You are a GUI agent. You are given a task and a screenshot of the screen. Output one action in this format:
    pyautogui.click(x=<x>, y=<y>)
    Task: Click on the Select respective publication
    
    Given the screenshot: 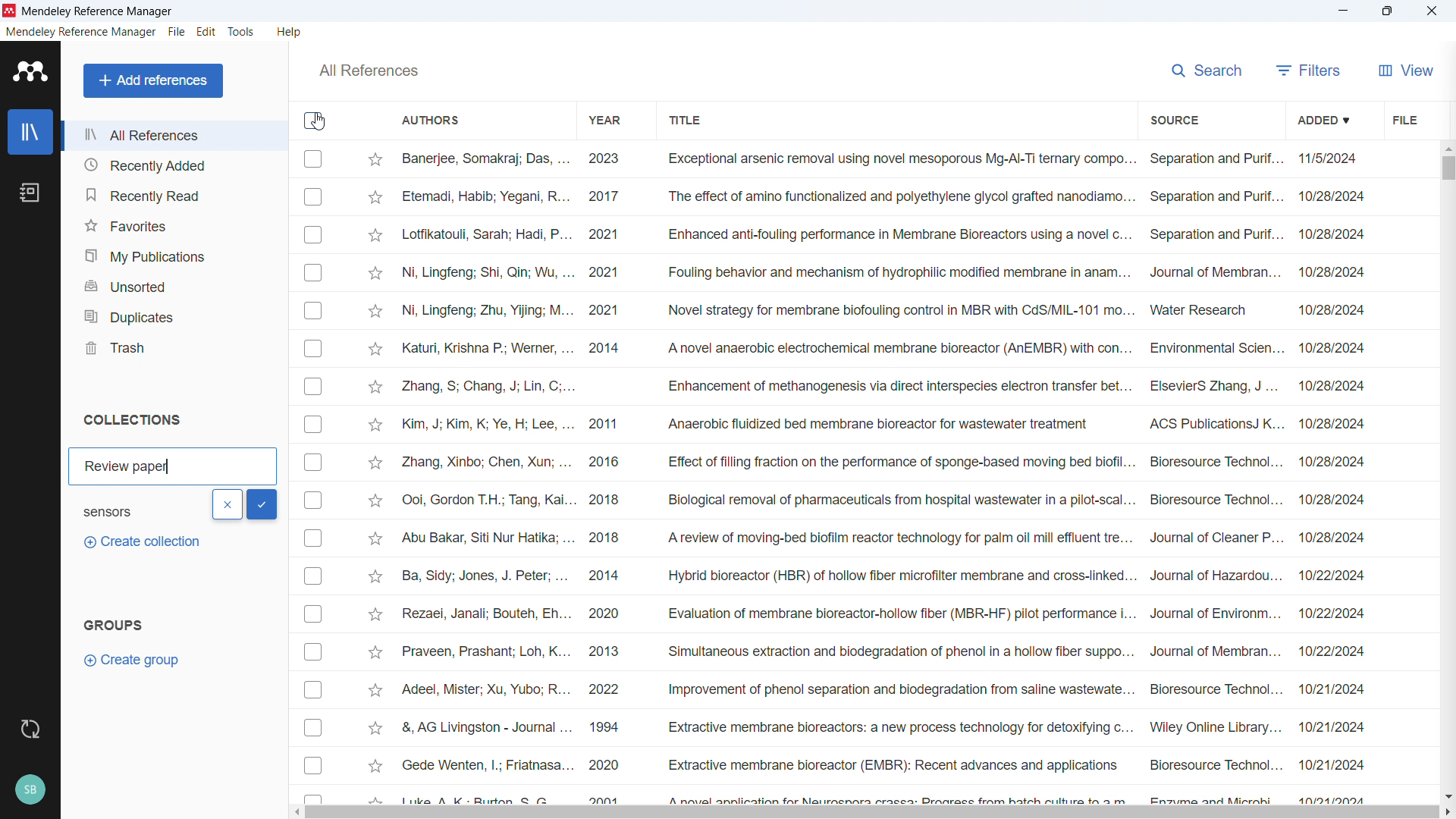 What is the action you would take?
    pyautogui.click(x=313, y=310)
    